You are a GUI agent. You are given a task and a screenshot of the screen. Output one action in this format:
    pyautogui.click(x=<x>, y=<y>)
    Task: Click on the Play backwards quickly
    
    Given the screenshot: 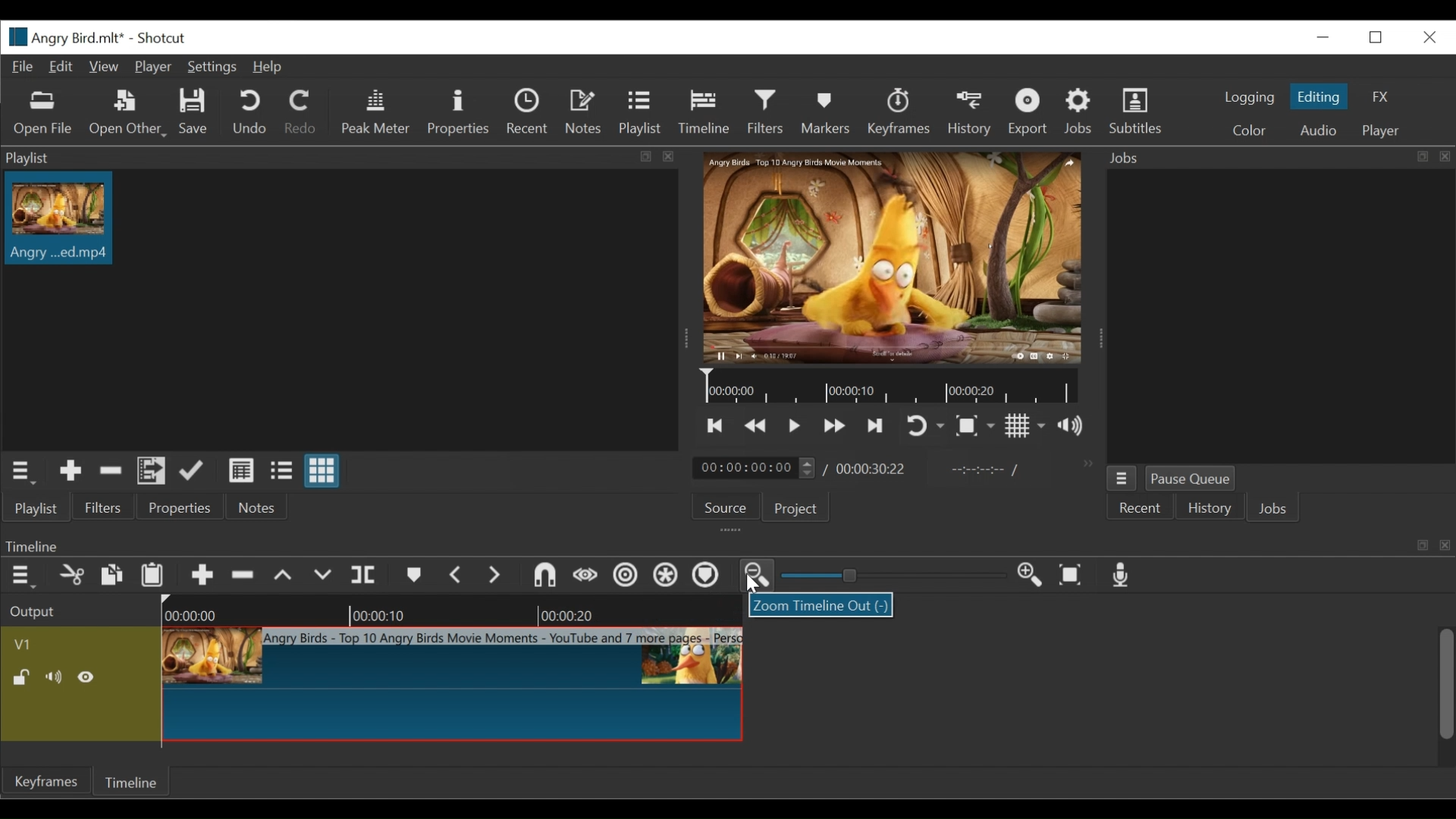 What is the action you would take?
    pyautogui.click(x=757, y=426)
    